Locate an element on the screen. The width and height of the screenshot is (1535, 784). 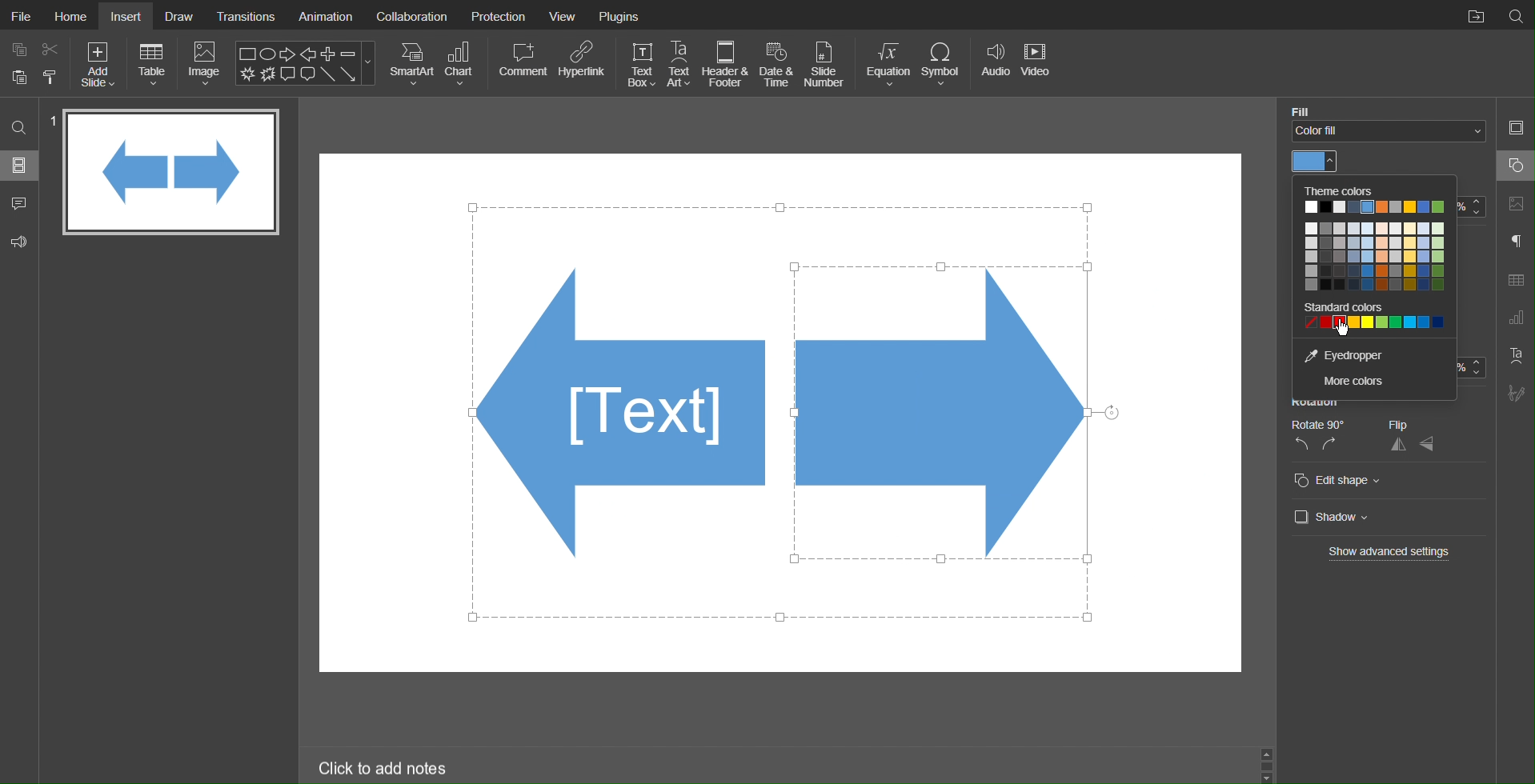
Equation is located at coordinates (886, 64).